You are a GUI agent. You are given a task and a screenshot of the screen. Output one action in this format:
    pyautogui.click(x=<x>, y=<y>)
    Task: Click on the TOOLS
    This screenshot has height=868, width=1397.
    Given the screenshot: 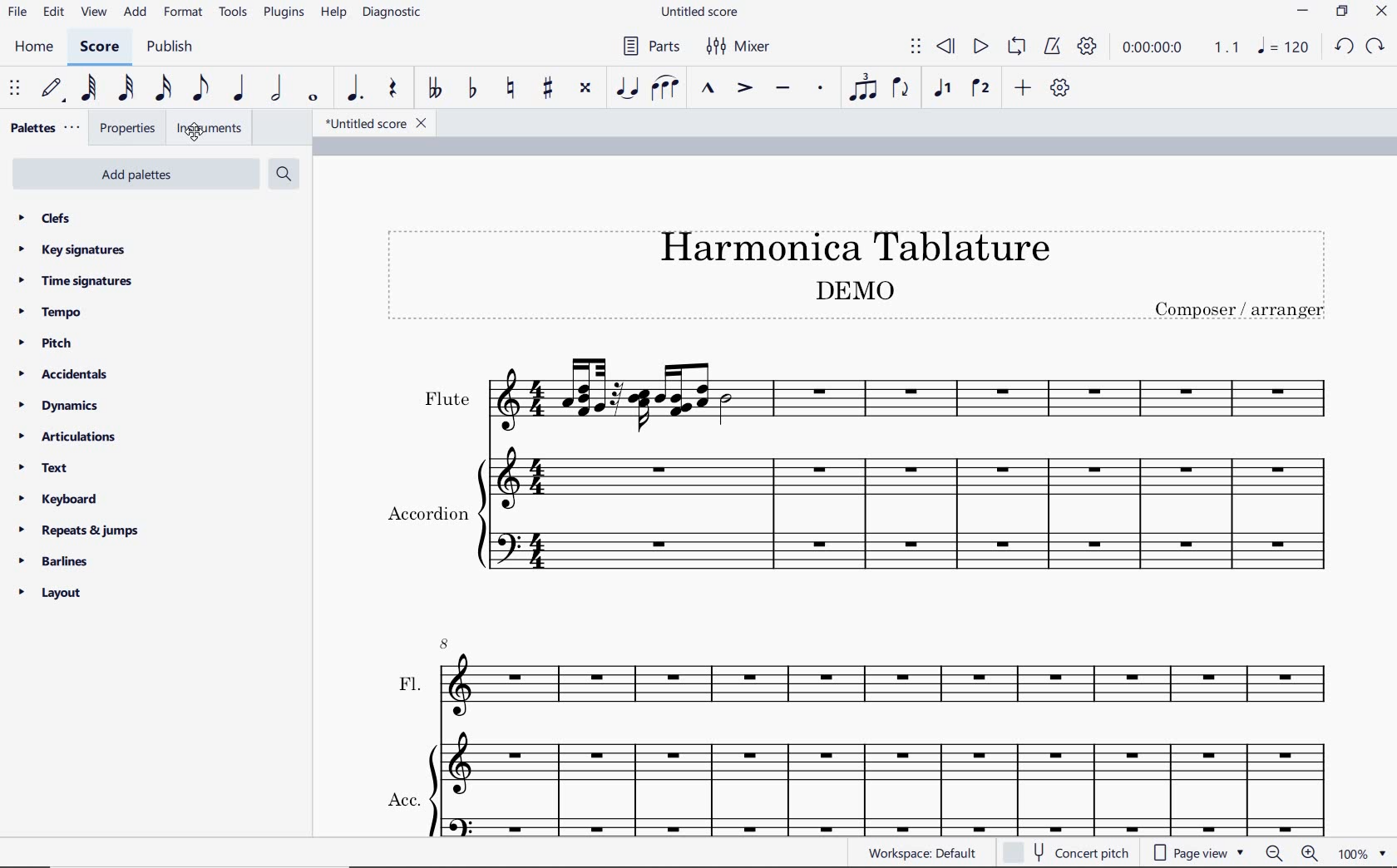 What is the action you would take?
    pyautogui.click(x=234, y=12)
    